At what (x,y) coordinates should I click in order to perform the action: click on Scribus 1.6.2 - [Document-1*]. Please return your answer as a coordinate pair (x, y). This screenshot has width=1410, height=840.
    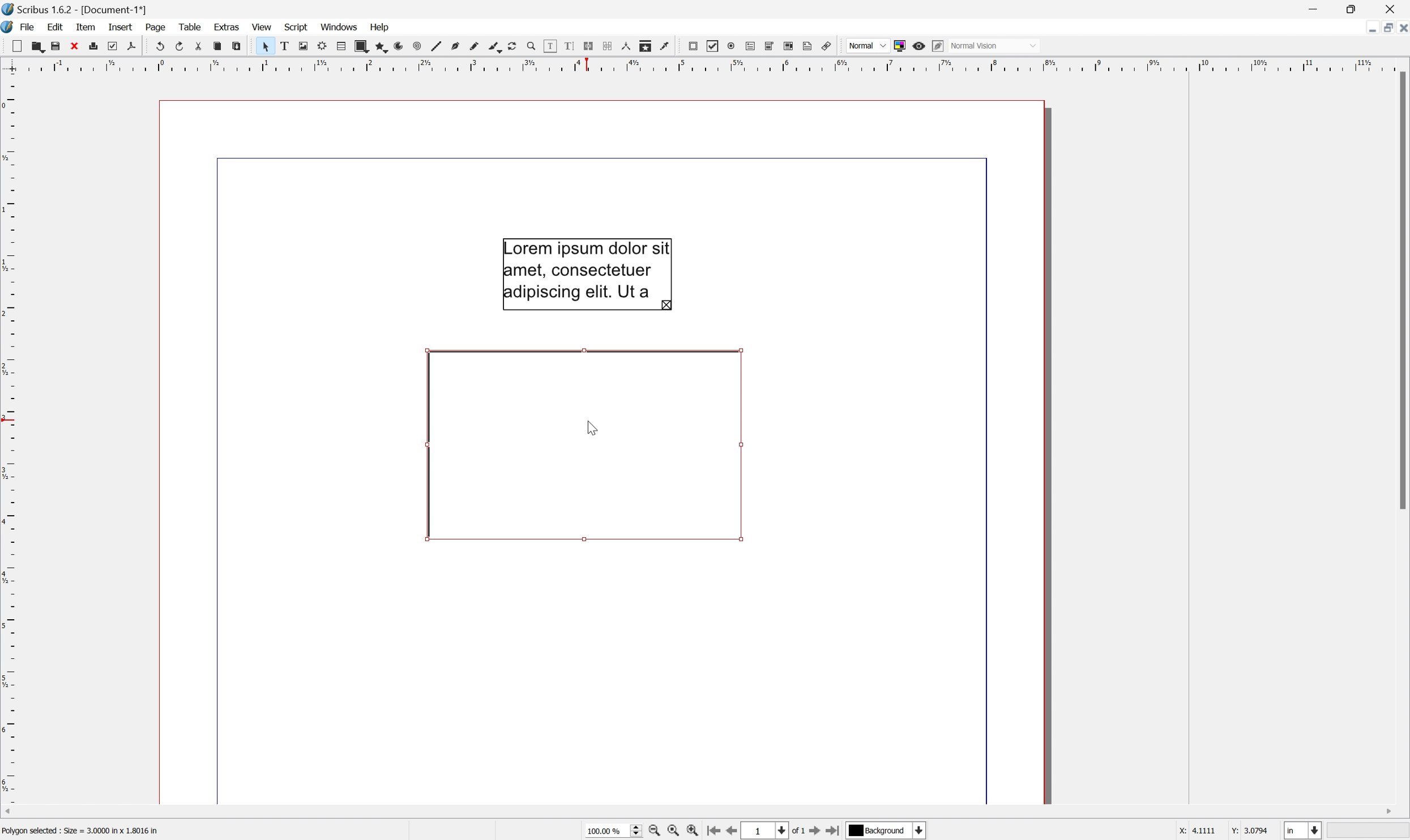
    Looking at the image, I should click on (72, 10).